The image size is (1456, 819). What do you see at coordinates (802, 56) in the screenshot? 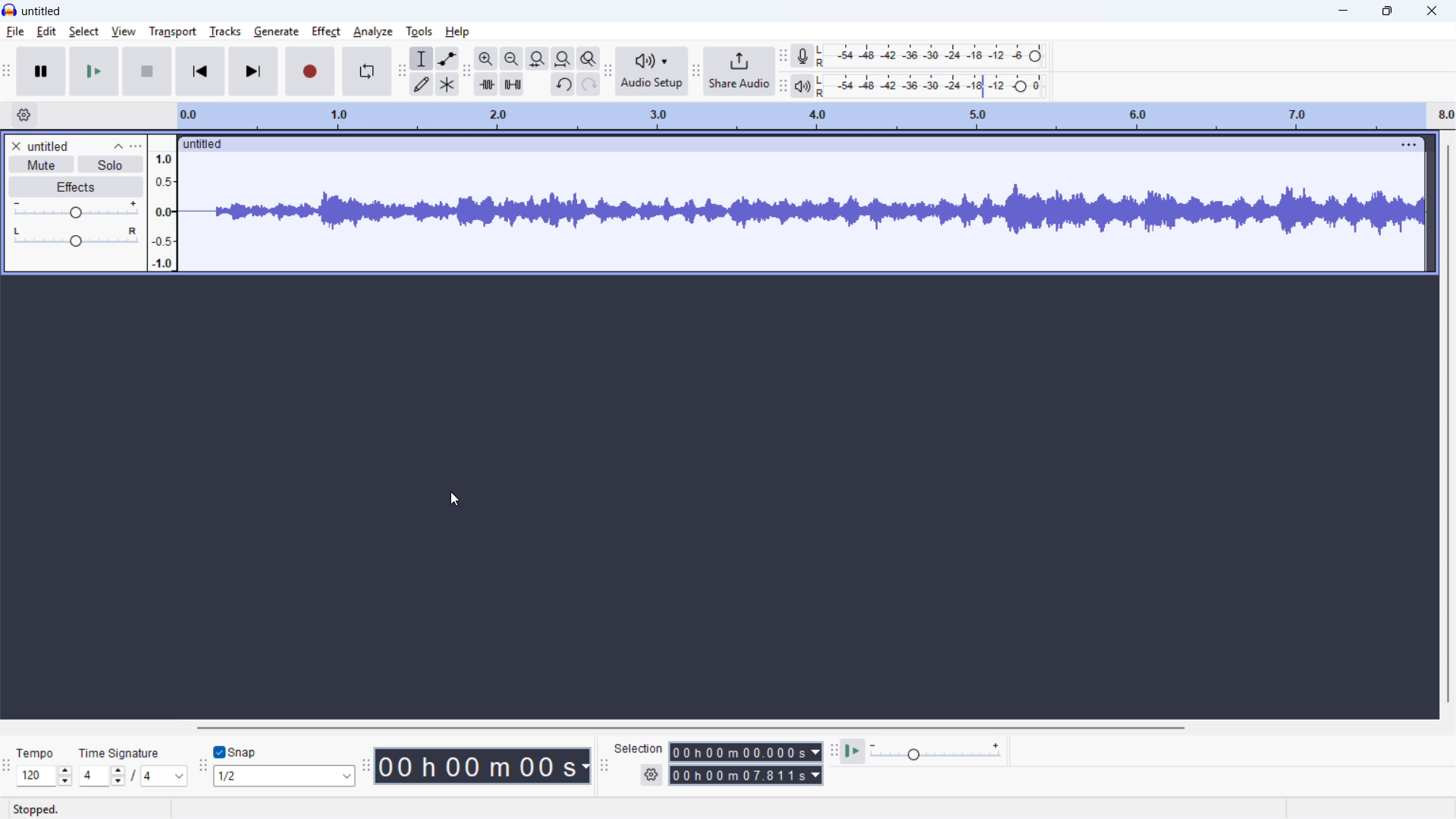
I see `recording metre` at bounding box center [802, 56].